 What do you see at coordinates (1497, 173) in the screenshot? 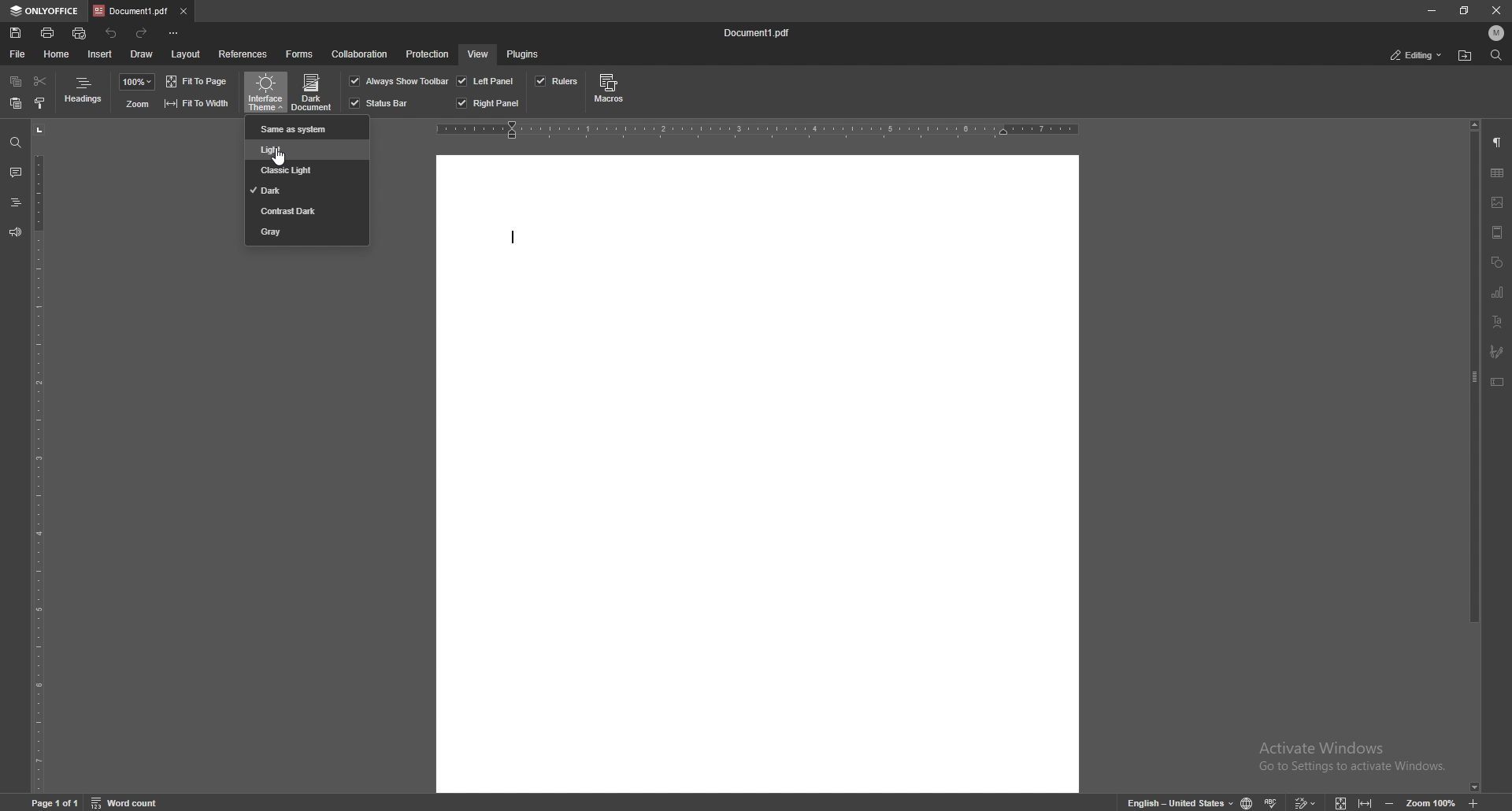
I see `table` at bounding box center [1497, 173].